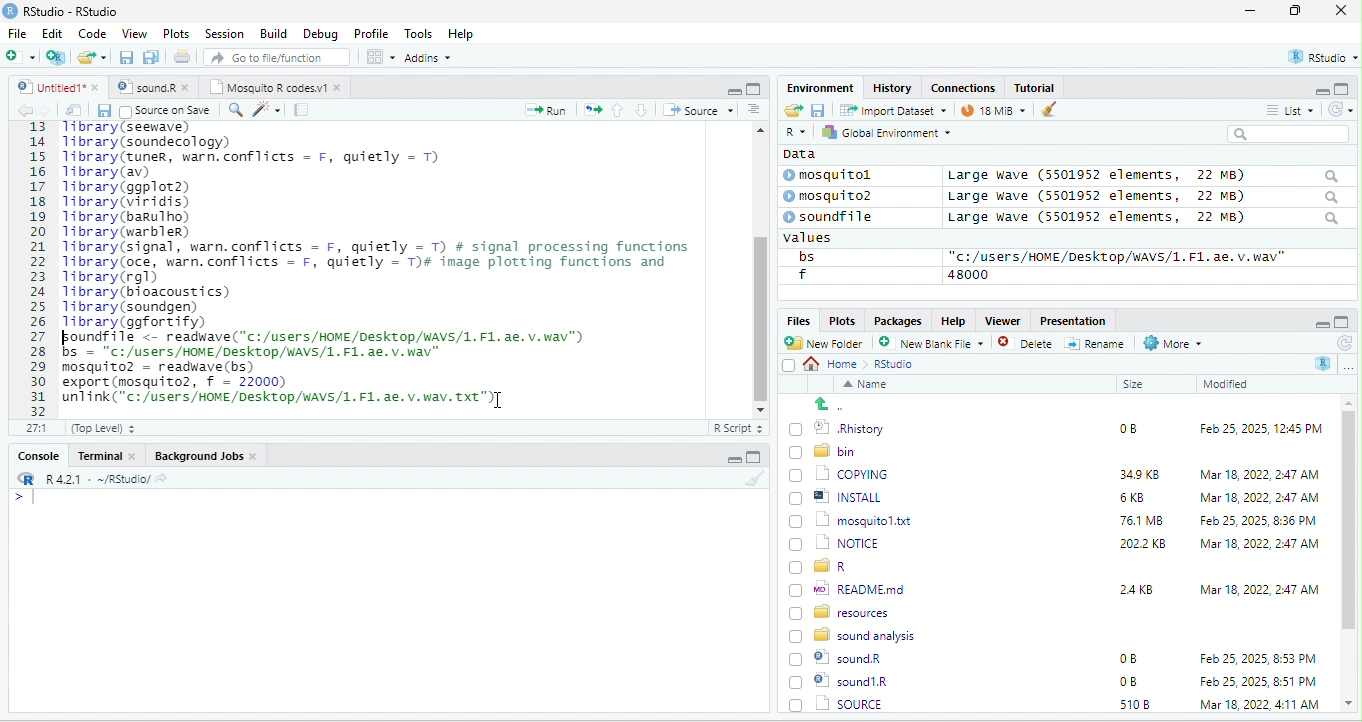 This screenshot has height=722, width=1362. Describe the element at coordinates (1324, 363) in the screenshot. I see `R` at that location.